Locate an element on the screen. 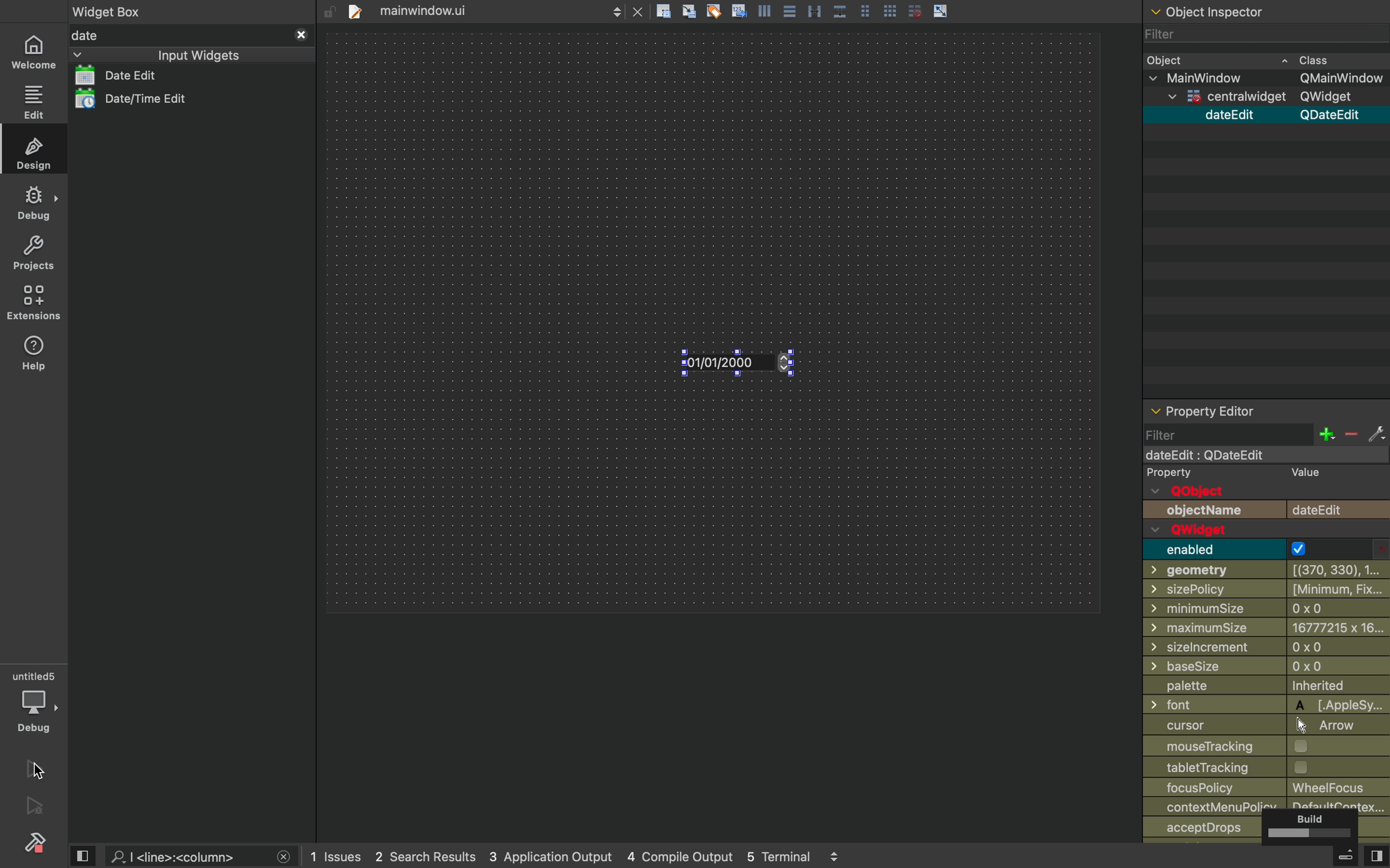  mainwindow is located at coordinates (1264, 455).